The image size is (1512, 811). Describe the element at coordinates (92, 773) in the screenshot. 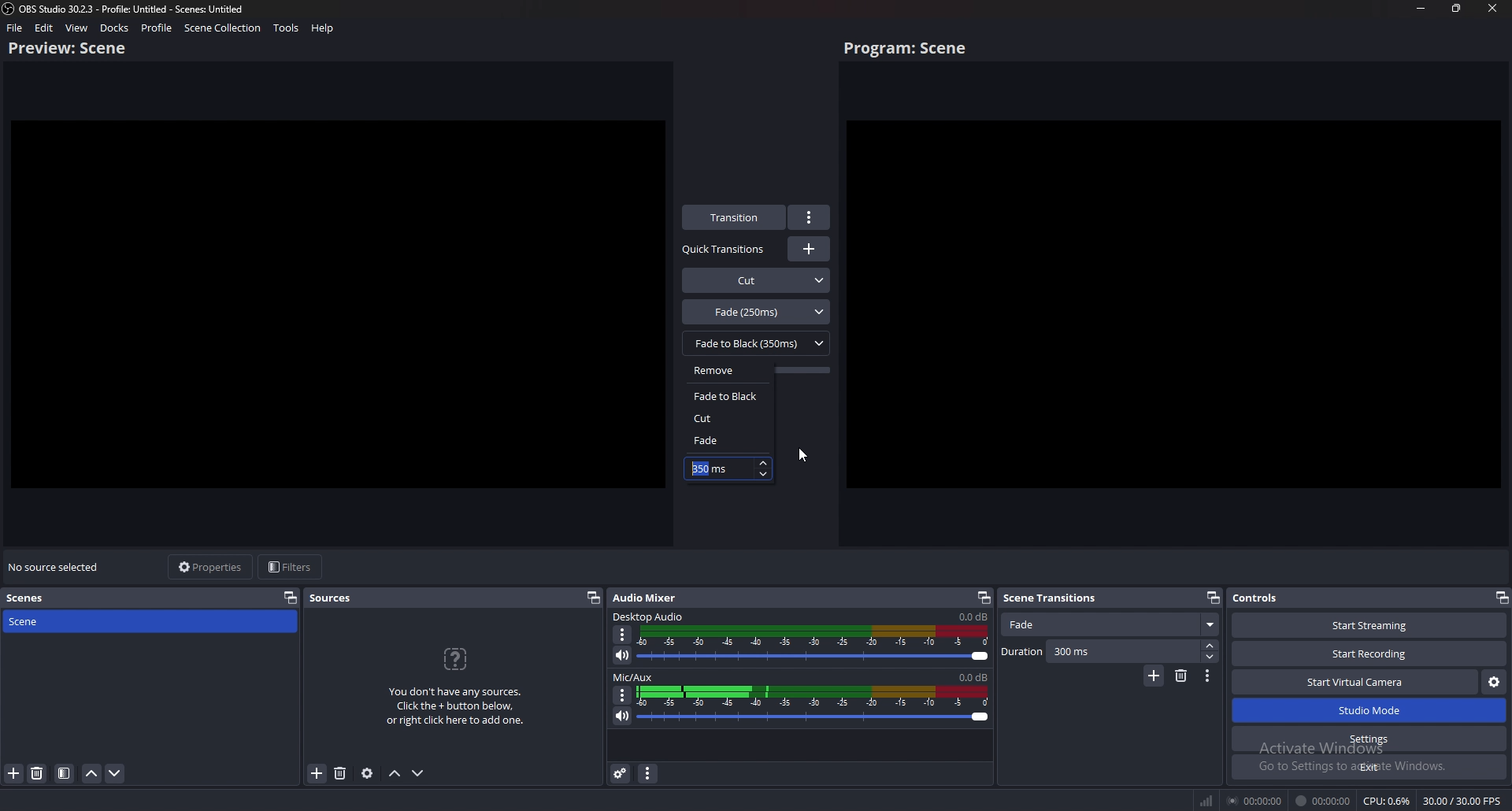

I see `move scene up` at that location.